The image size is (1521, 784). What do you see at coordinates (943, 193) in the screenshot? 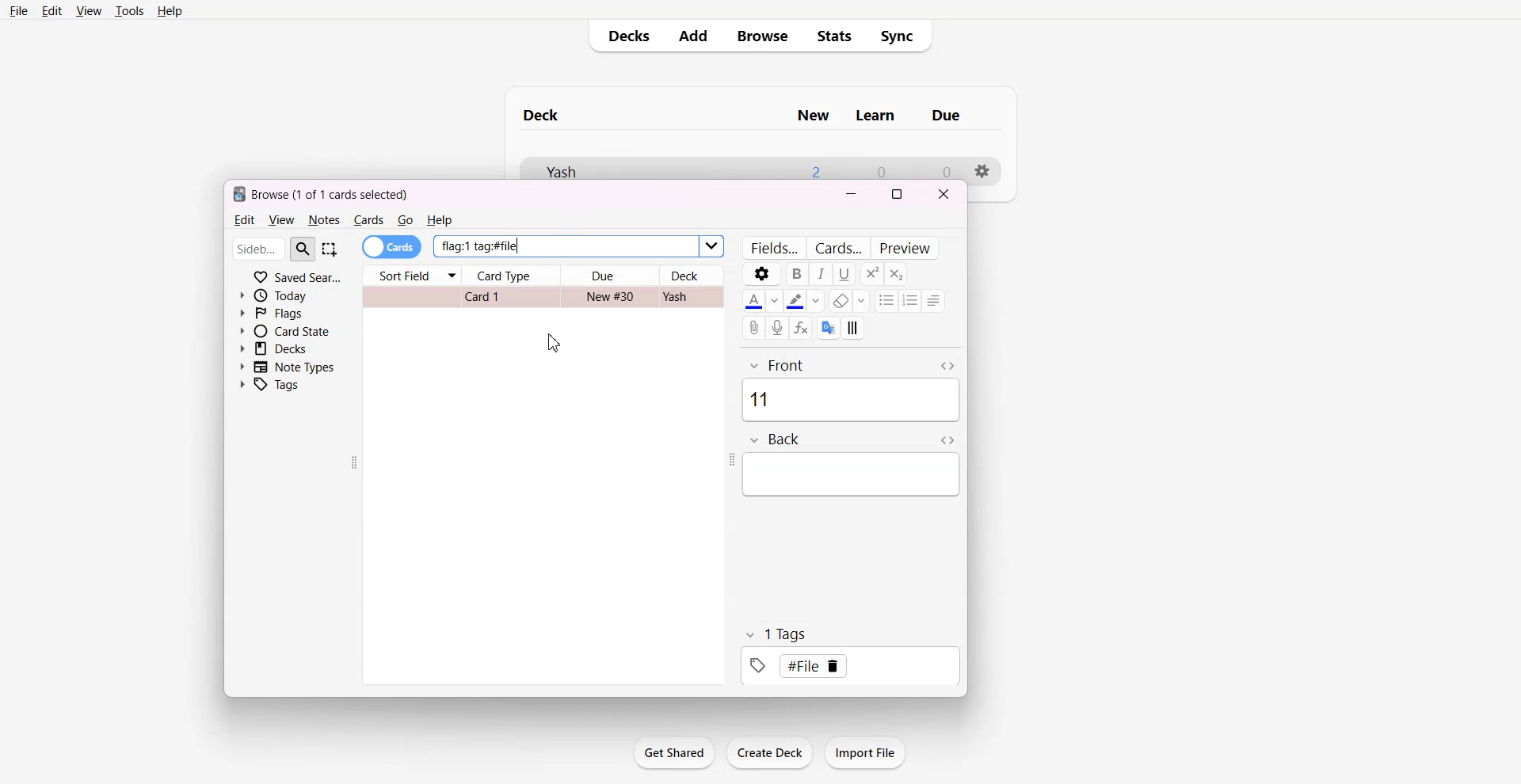
I see `Close` at bounding box center [943, 193].